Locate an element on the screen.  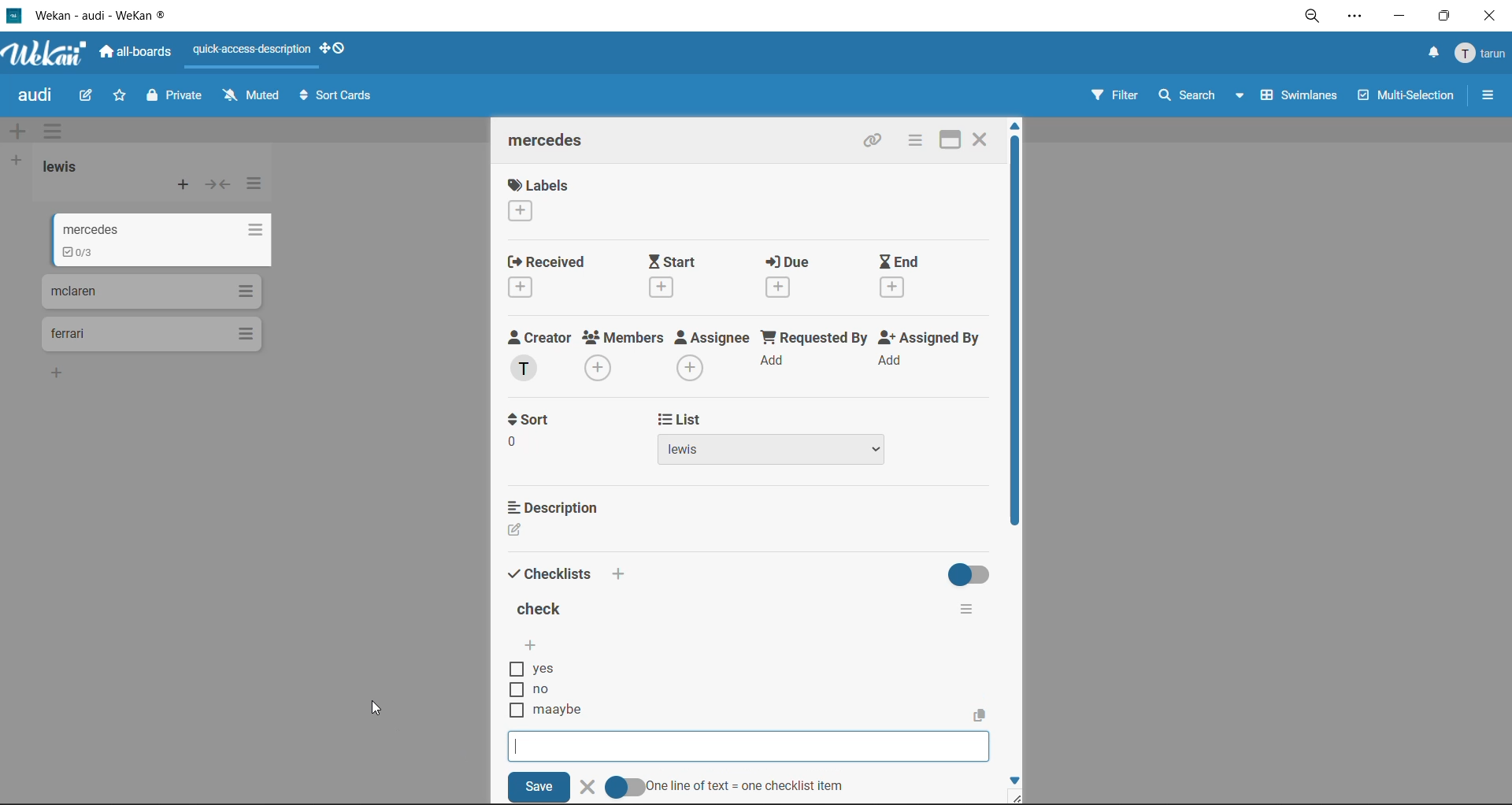
multiselection is located at coordinates (1406, 98).